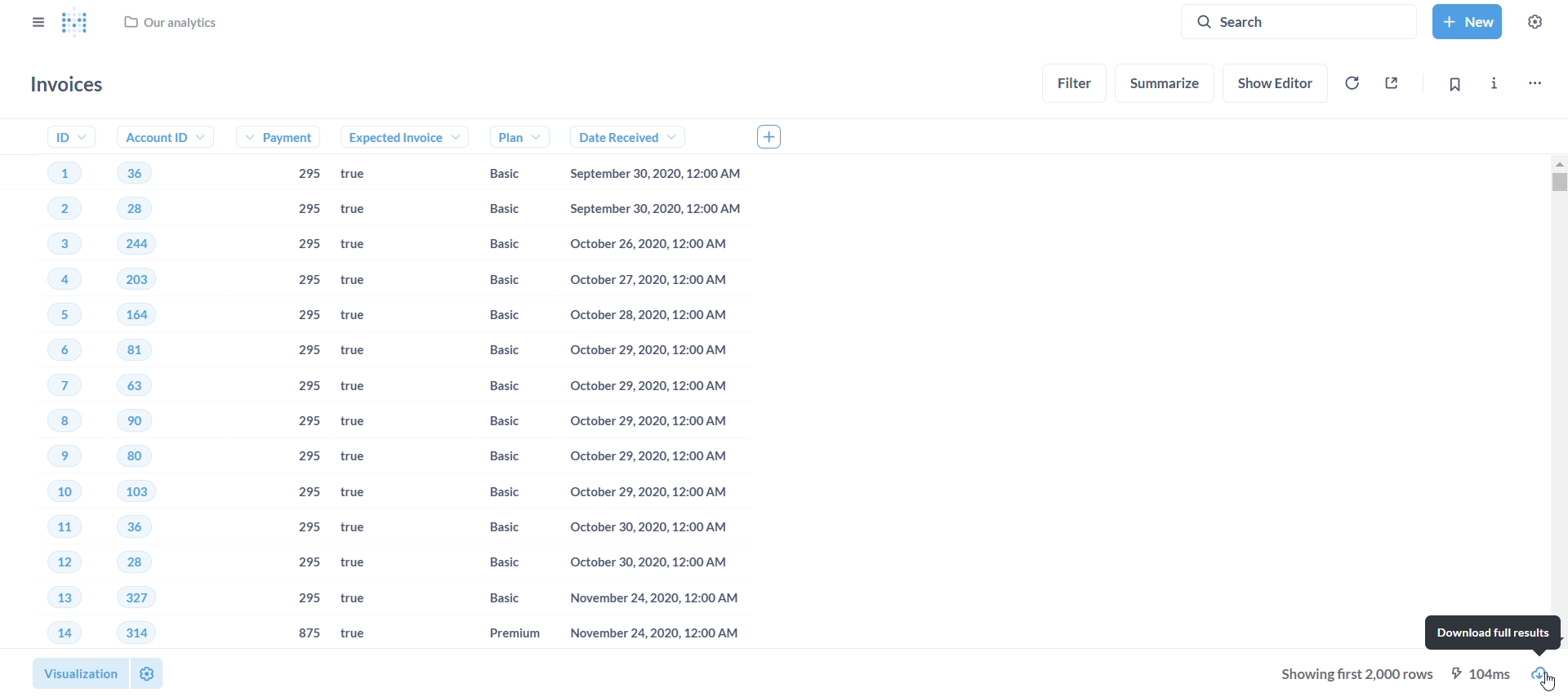  Describe the element at coordinates (499, 174) in the screenshot. I see `Basic` at that location.